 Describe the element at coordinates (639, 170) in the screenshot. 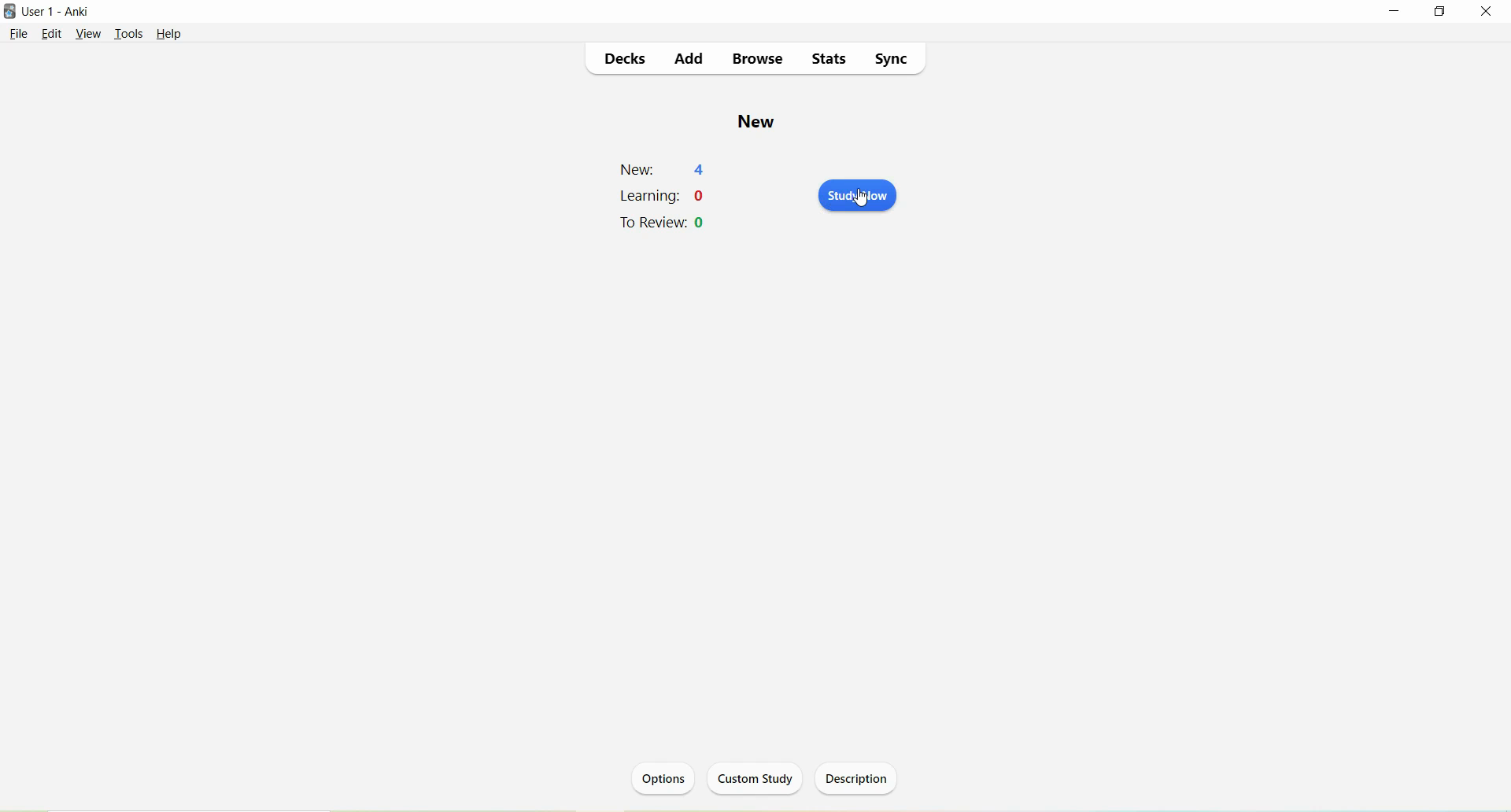

I see `New:` at that location.